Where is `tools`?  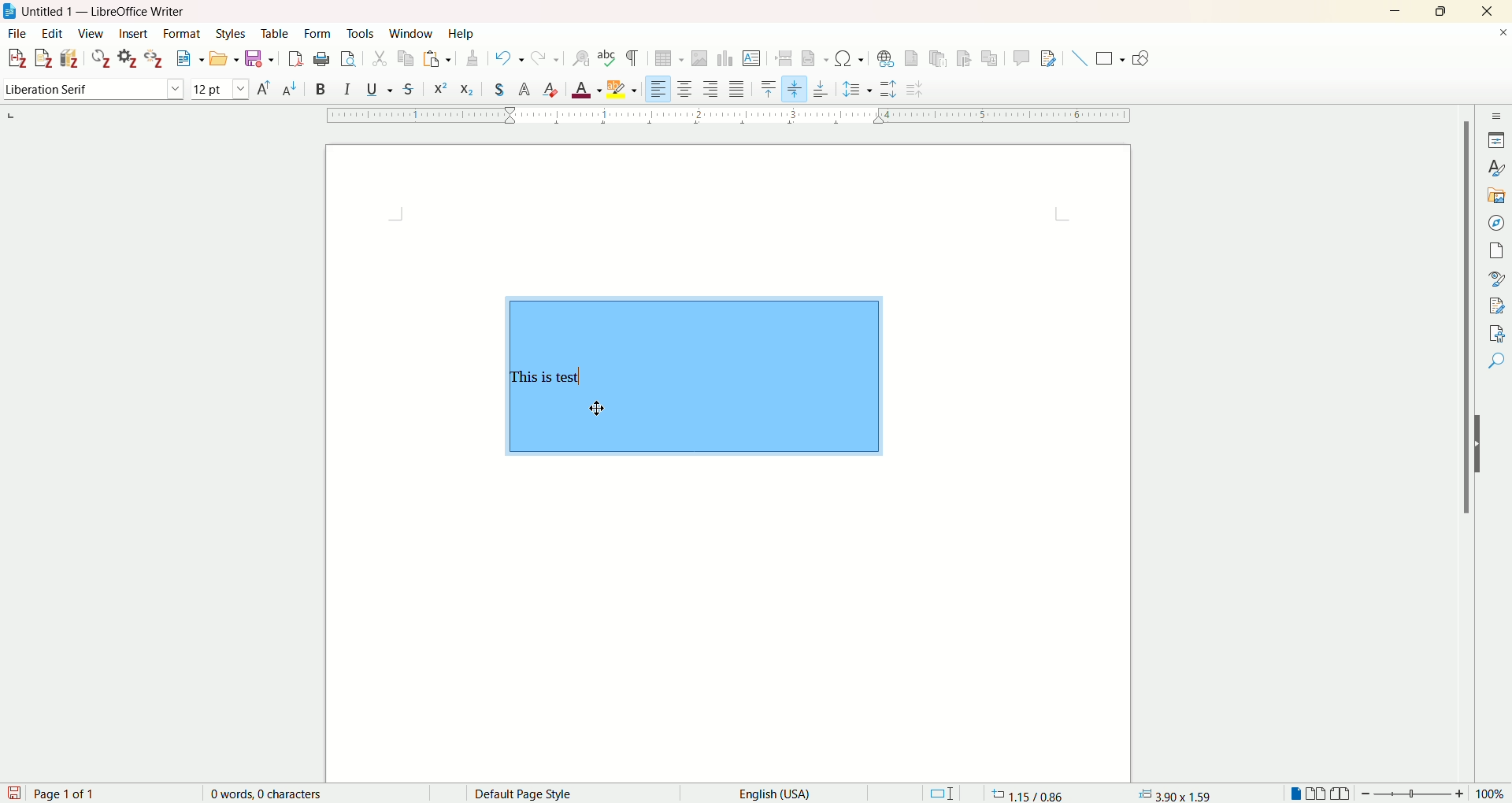
tools is located at coordinates (360, 33).